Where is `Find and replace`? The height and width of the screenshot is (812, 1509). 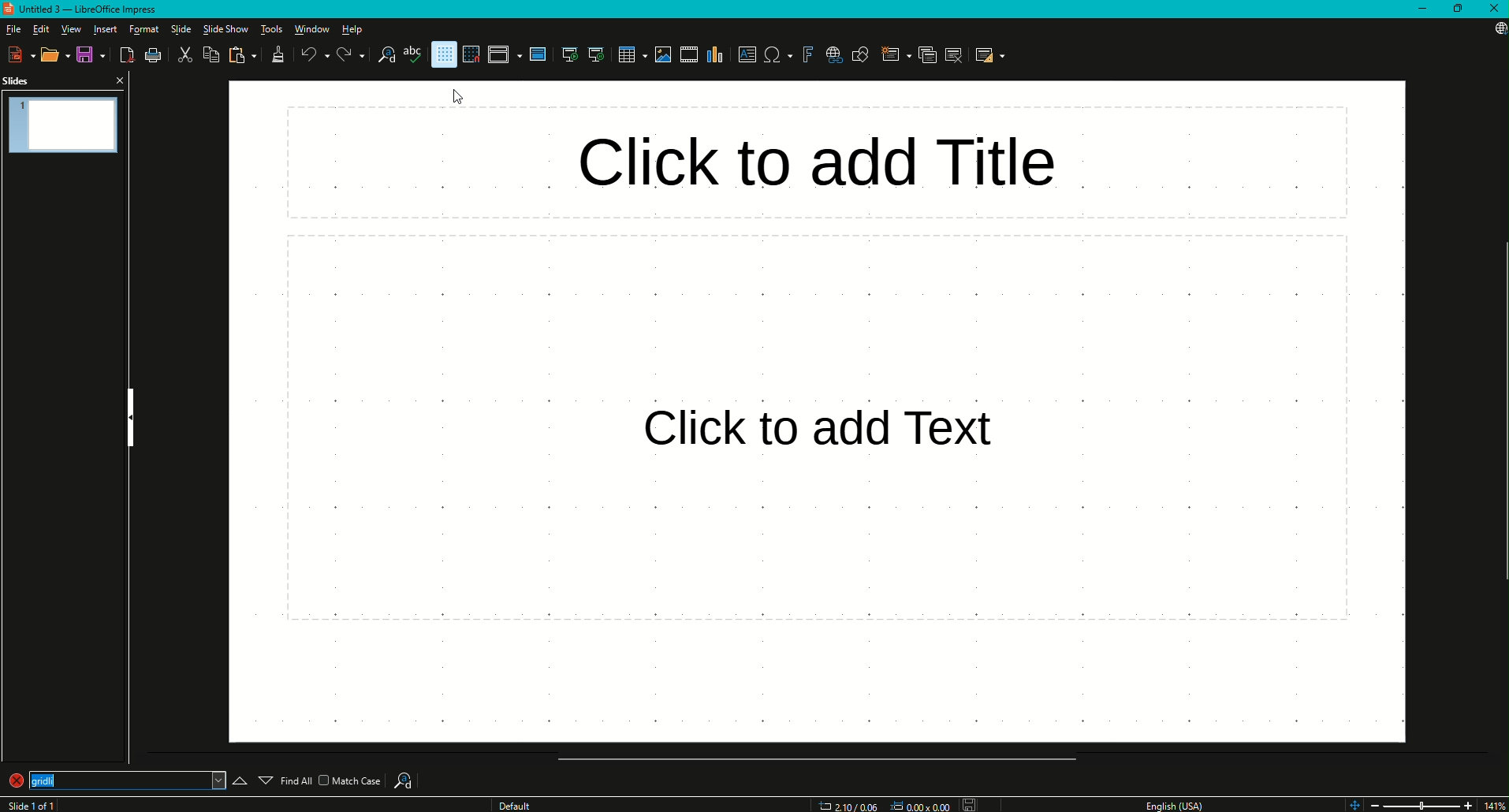 Find and replace is located at coordinates (411, 775).